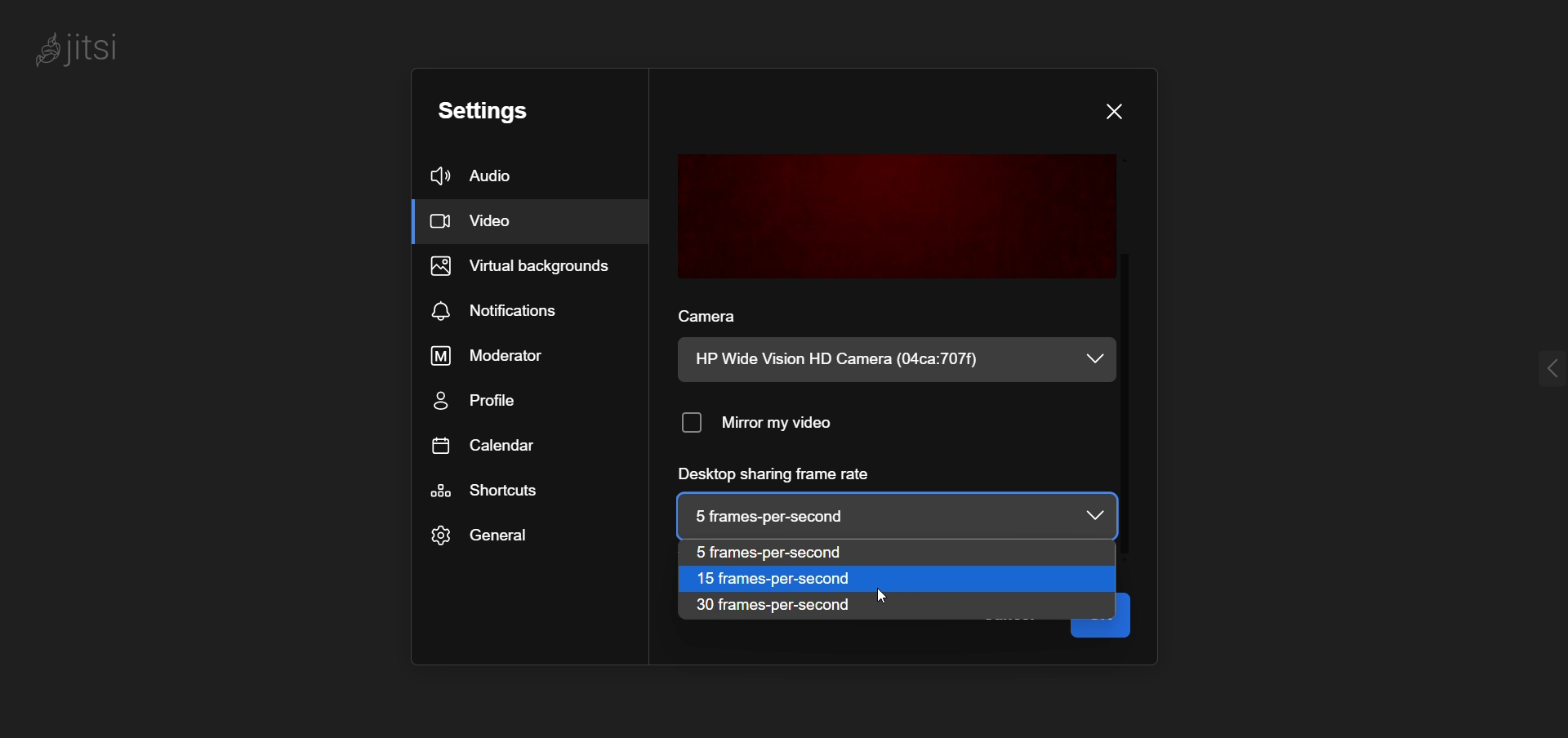  What do you see at coordinates (479, 445) in the screenshot?
I see `calendar` at bounding box center [479, 445].